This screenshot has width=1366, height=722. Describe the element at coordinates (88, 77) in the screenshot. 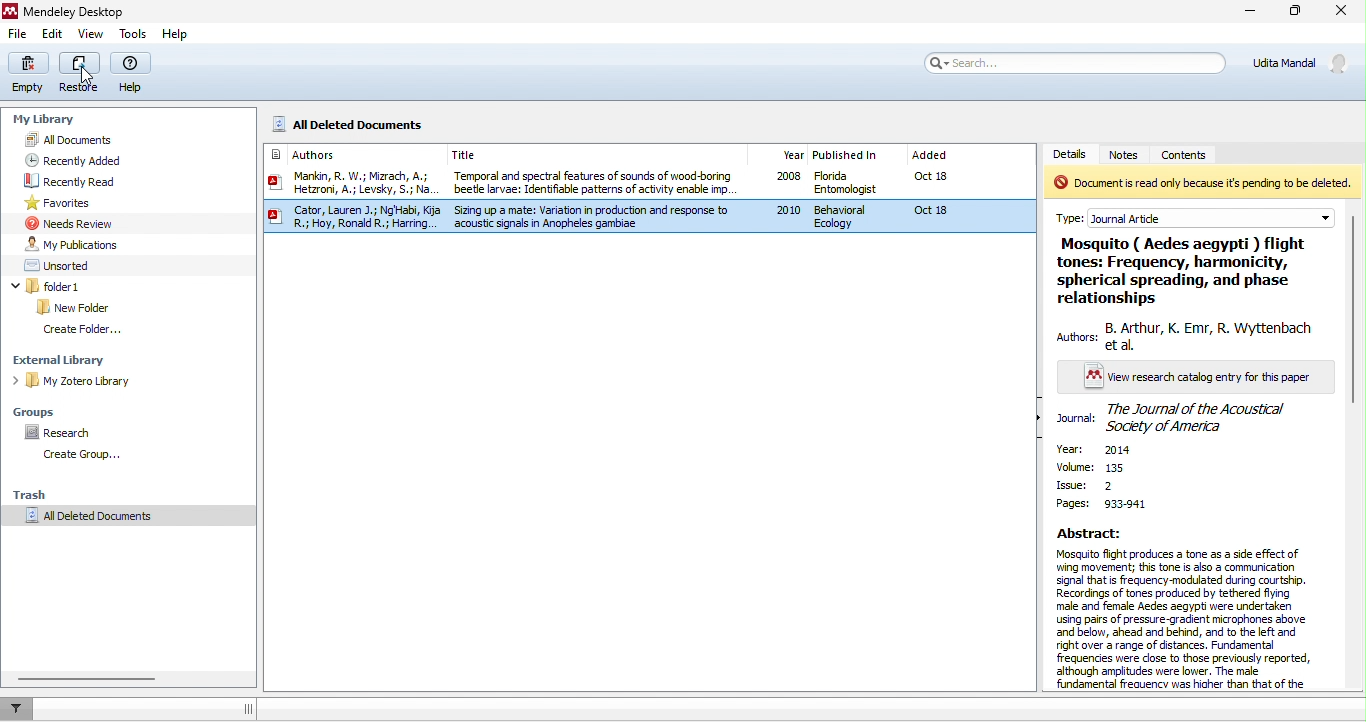

I see `cursor movement` at that location.